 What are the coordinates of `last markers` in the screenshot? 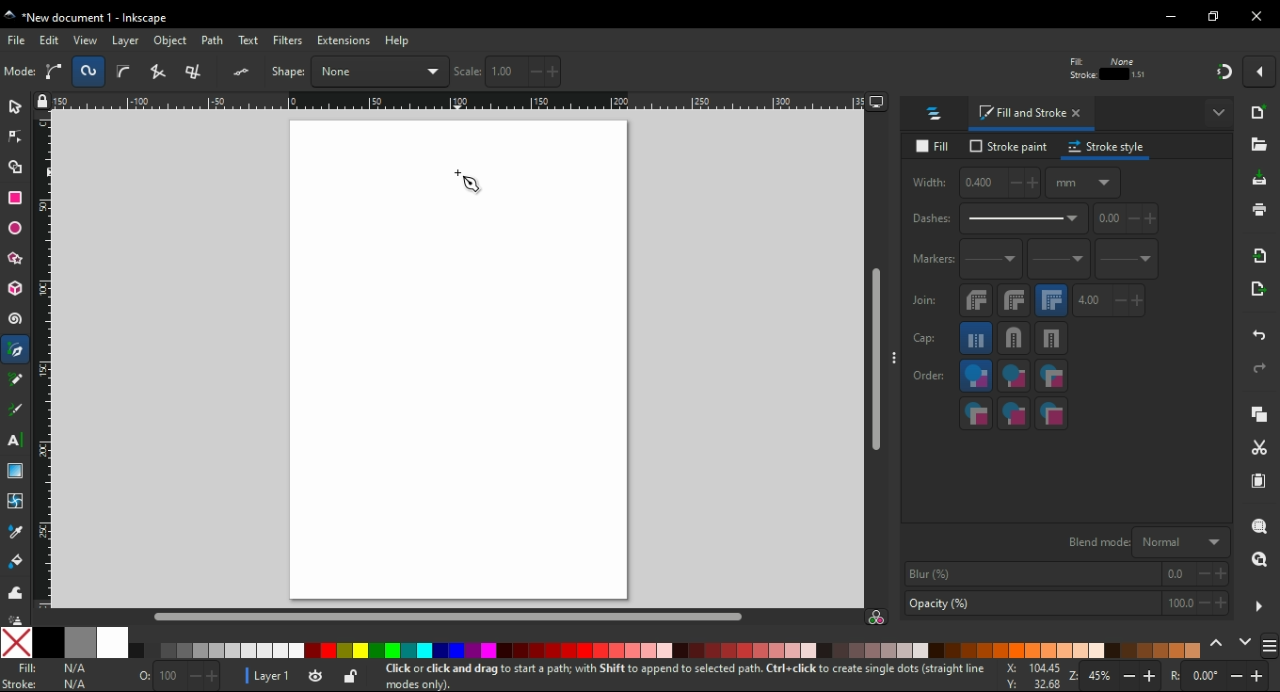 It's located at (1125, 259).